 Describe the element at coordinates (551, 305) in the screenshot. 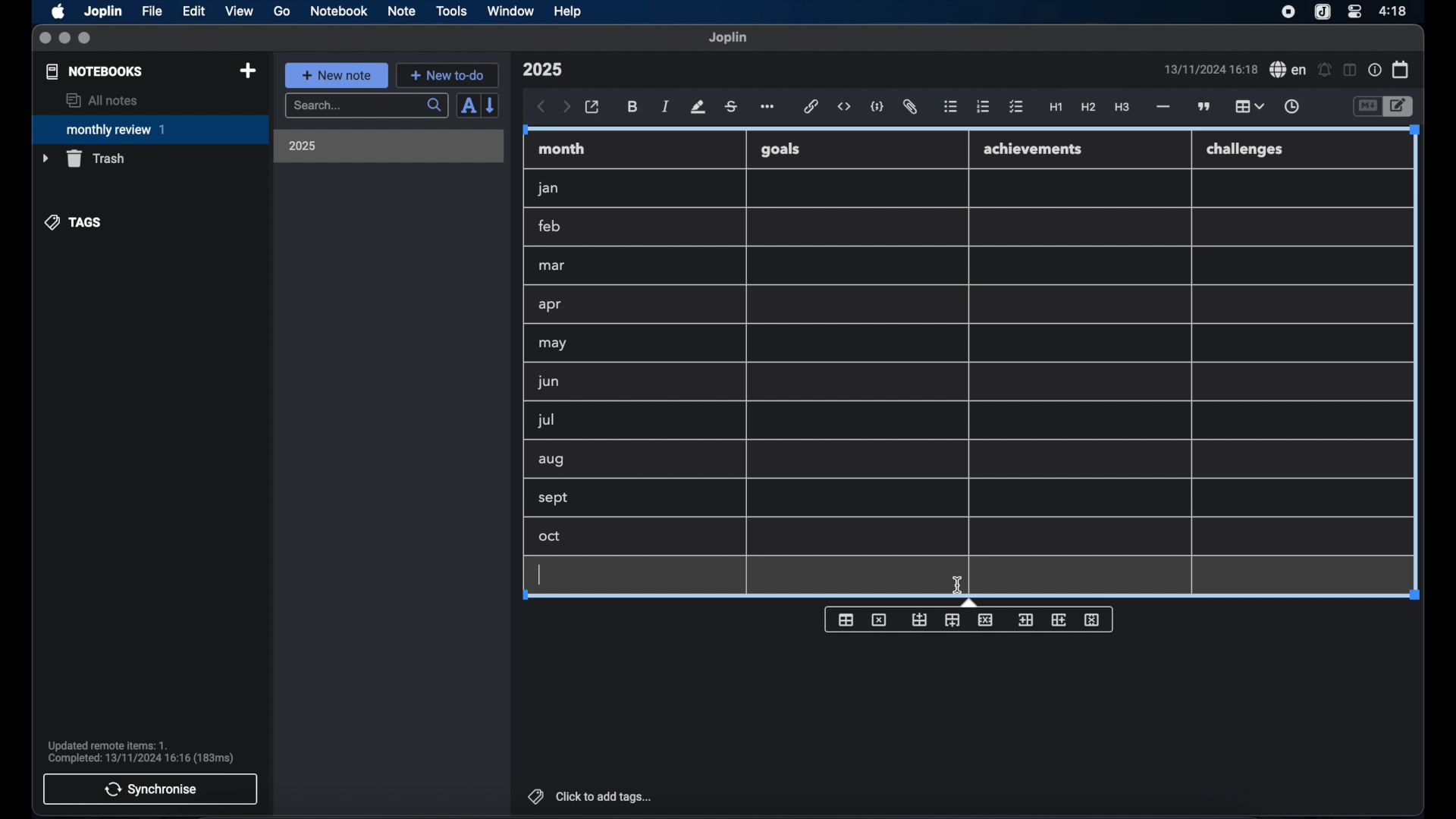

I see `apr` at that location.